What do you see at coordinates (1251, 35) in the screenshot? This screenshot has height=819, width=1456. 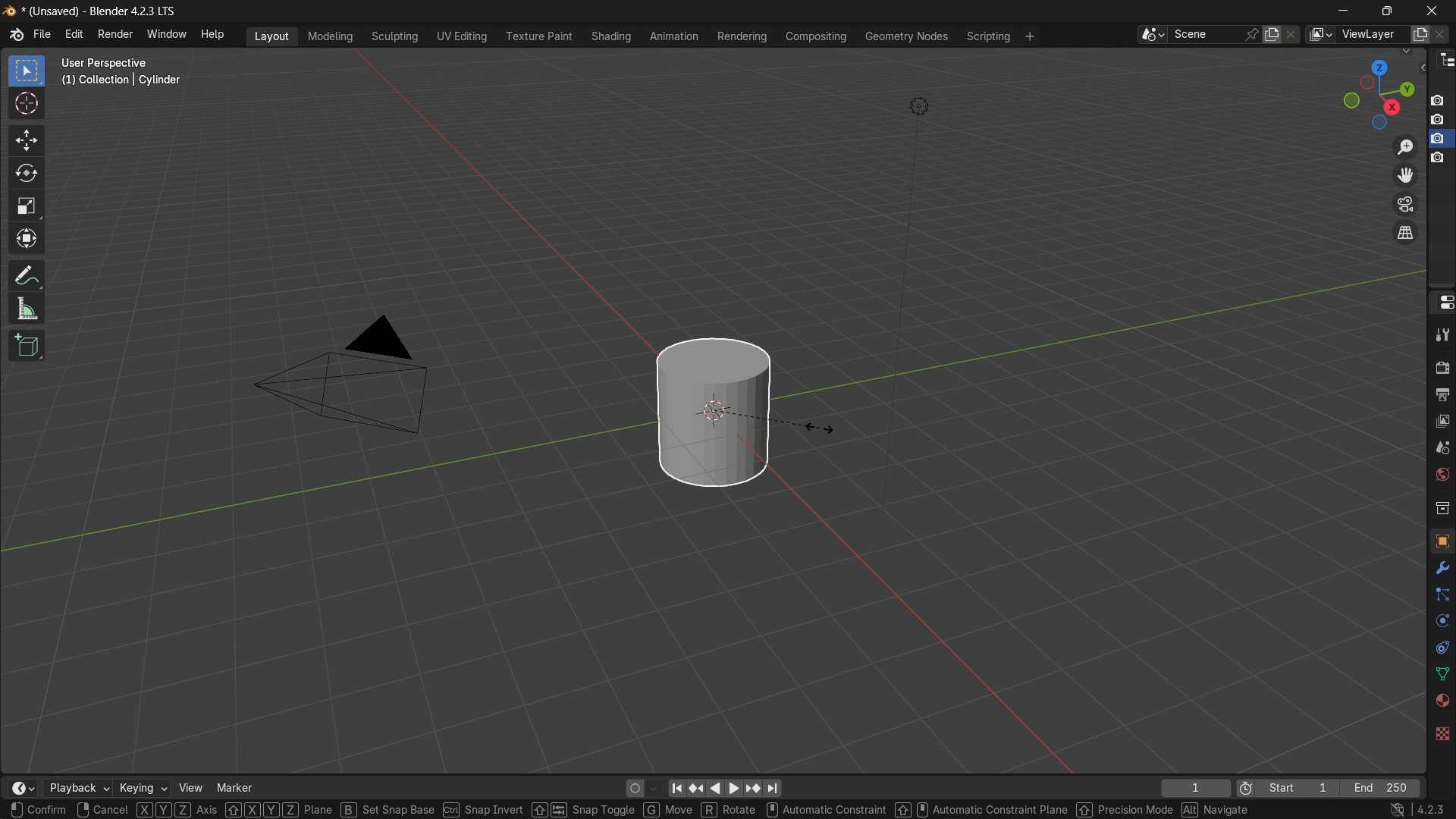 I see `pin scene to workplace` at bounding box center [1251, 35].